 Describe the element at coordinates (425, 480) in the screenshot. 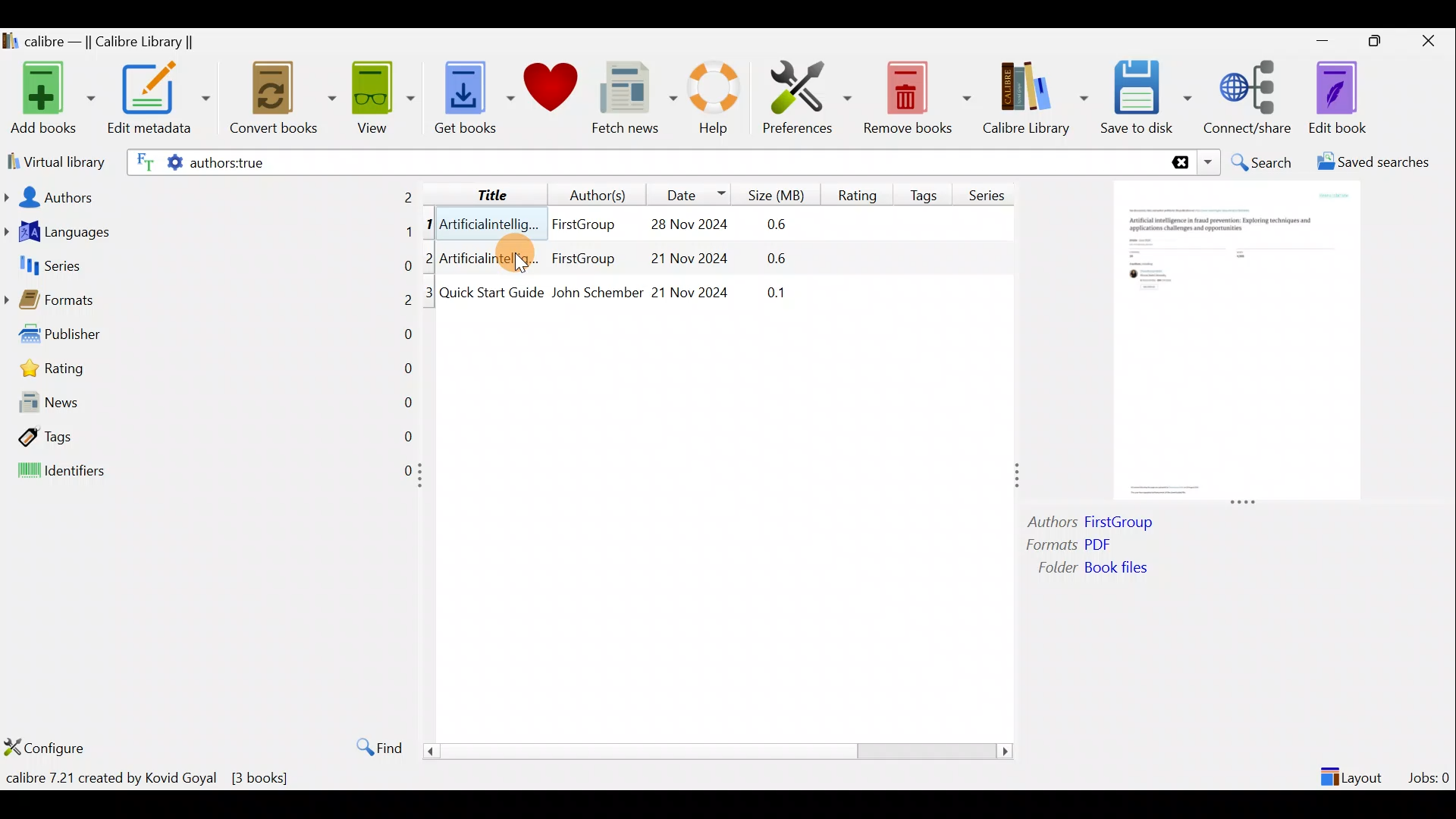

I see `Adjust column to the left` at that location.